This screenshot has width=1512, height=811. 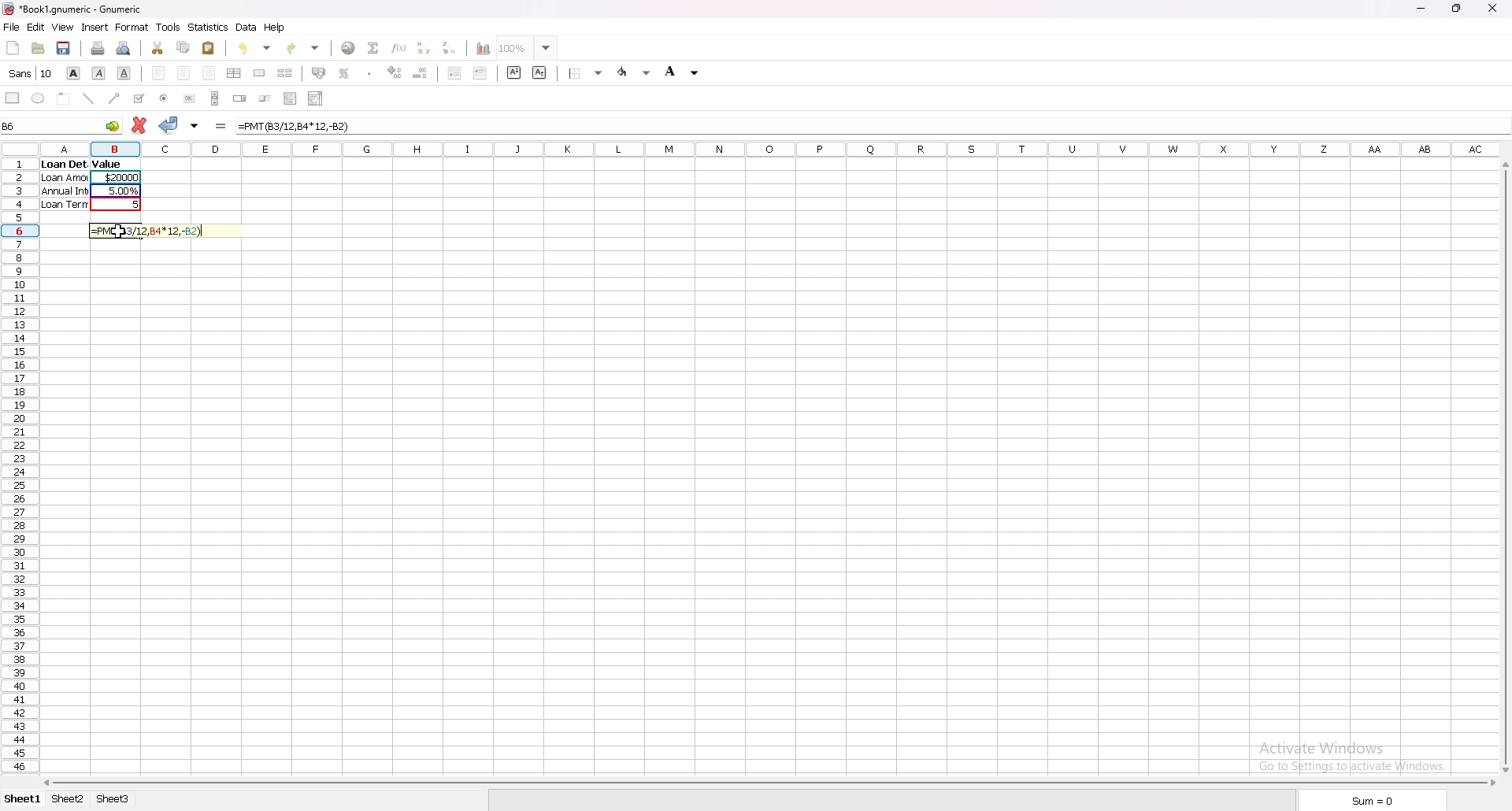 I want to click on statistics, so click(x=209, y=27).